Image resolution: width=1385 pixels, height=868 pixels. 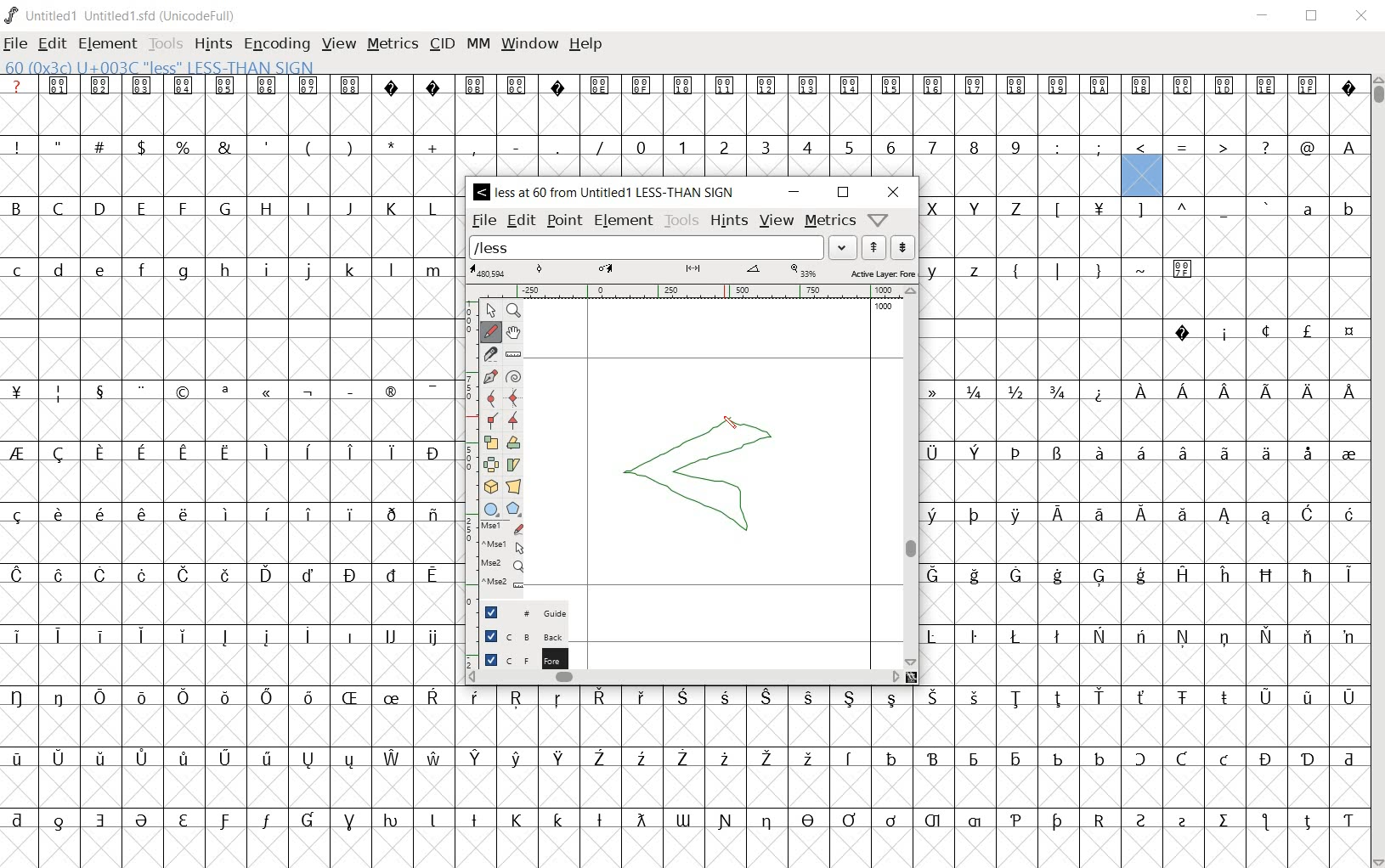 I want to click on special letters, so click(x=231, y=575).